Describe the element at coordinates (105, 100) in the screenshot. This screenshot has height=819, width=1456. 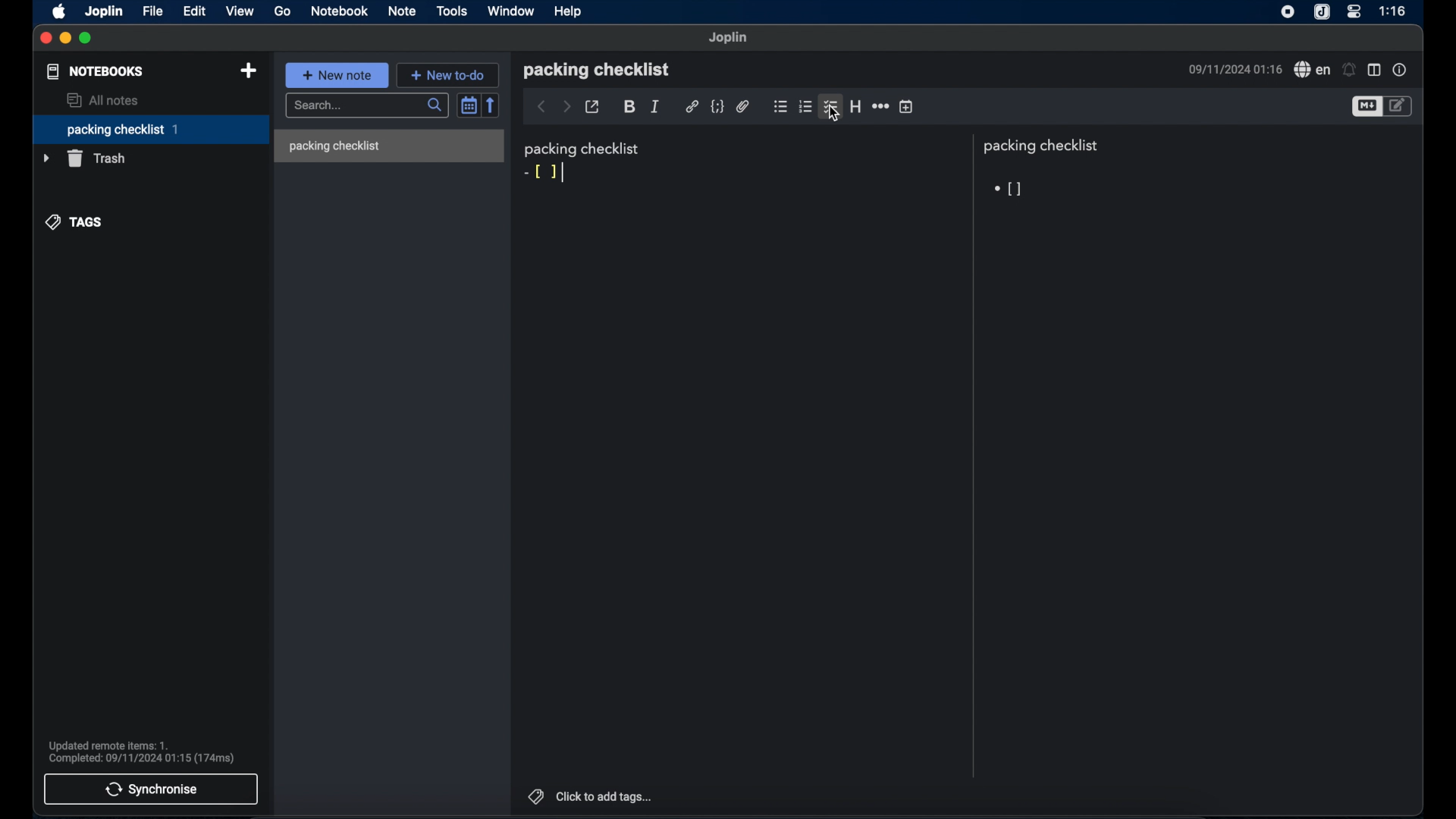
I see `all notes` at that location.